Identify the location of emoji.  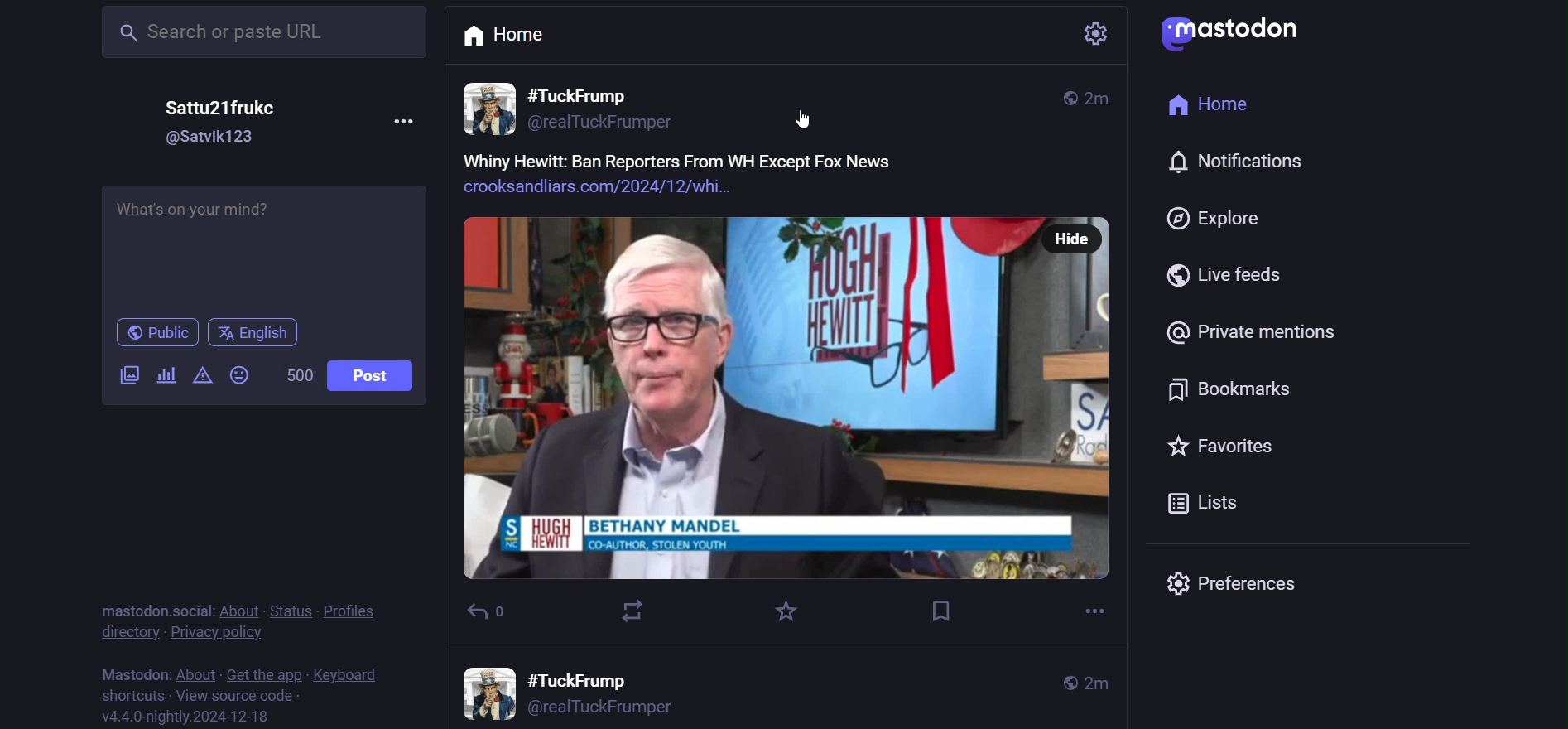
(239, 375).